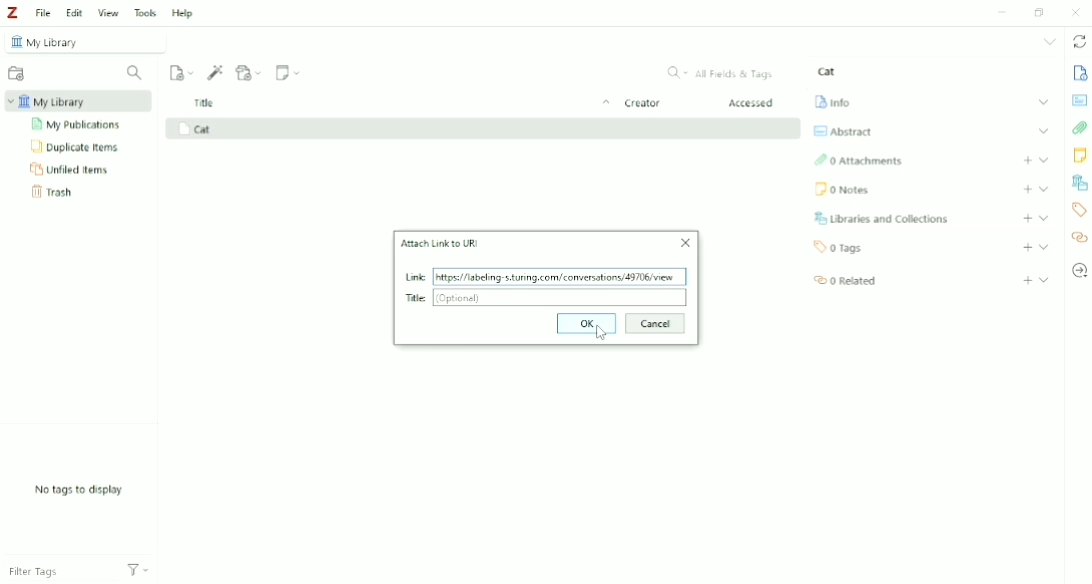 This screenshot has height=584, width=1092. I want to click on Unfiled Items, so click(71, 168).